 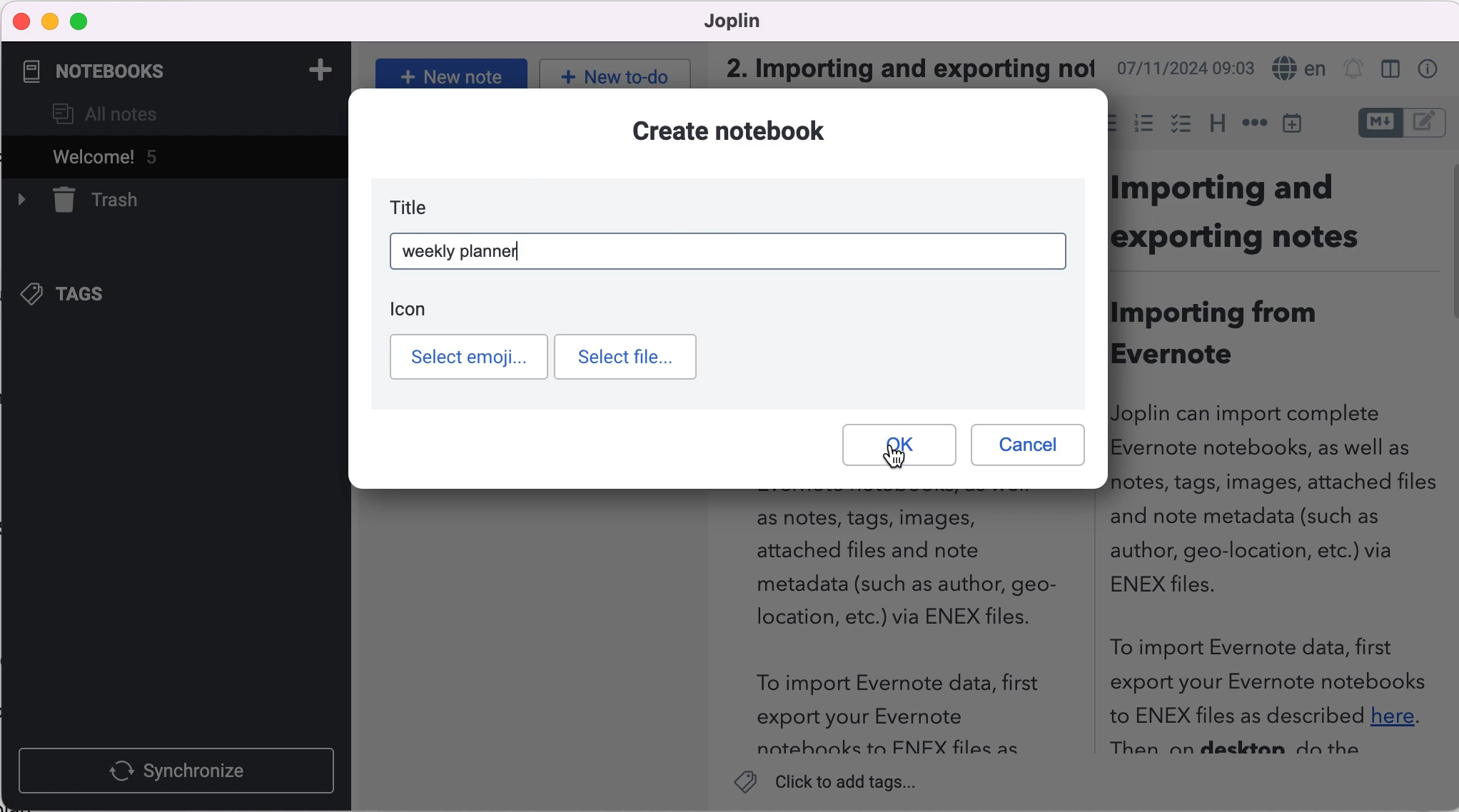 I want to click on numbered list, so click(x=1143, y=126).